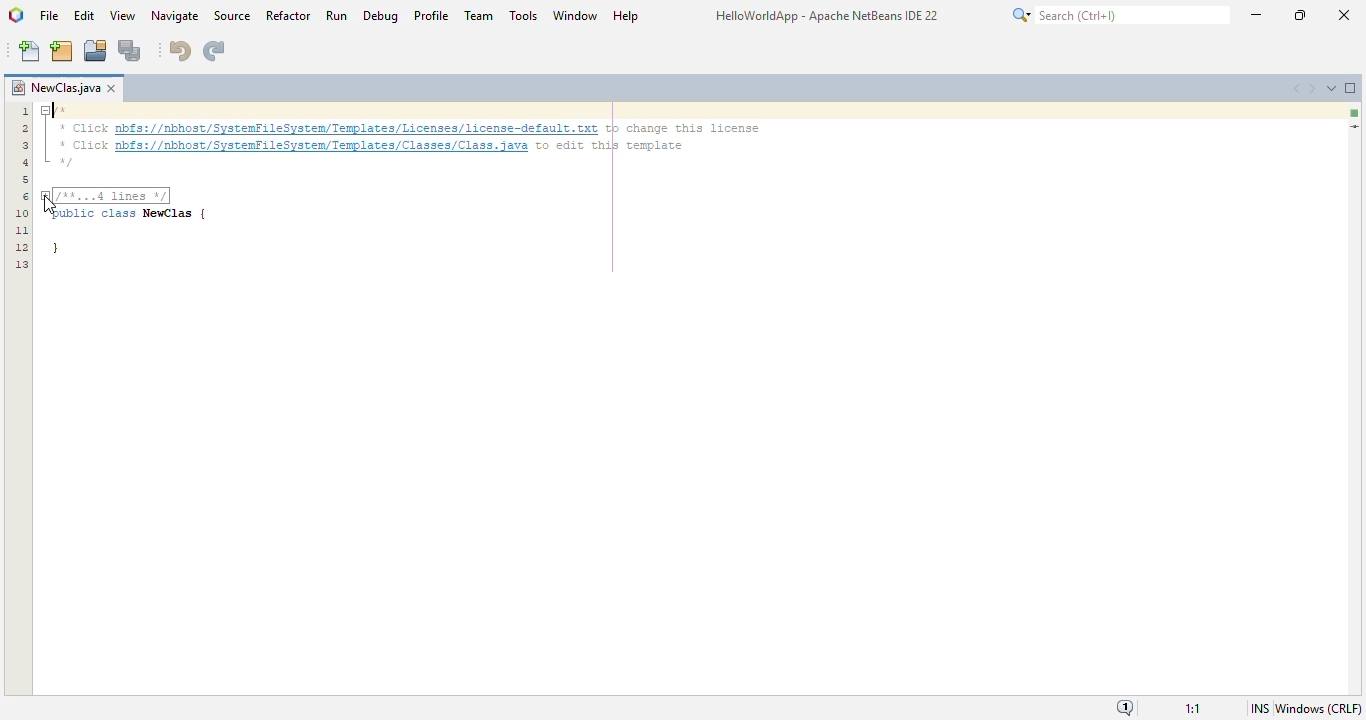 This screenshot has width=1366, height=720. What do you see at coordinates (233, 16) in the screenshot?
I see `source` at bounding box center [233, 16].